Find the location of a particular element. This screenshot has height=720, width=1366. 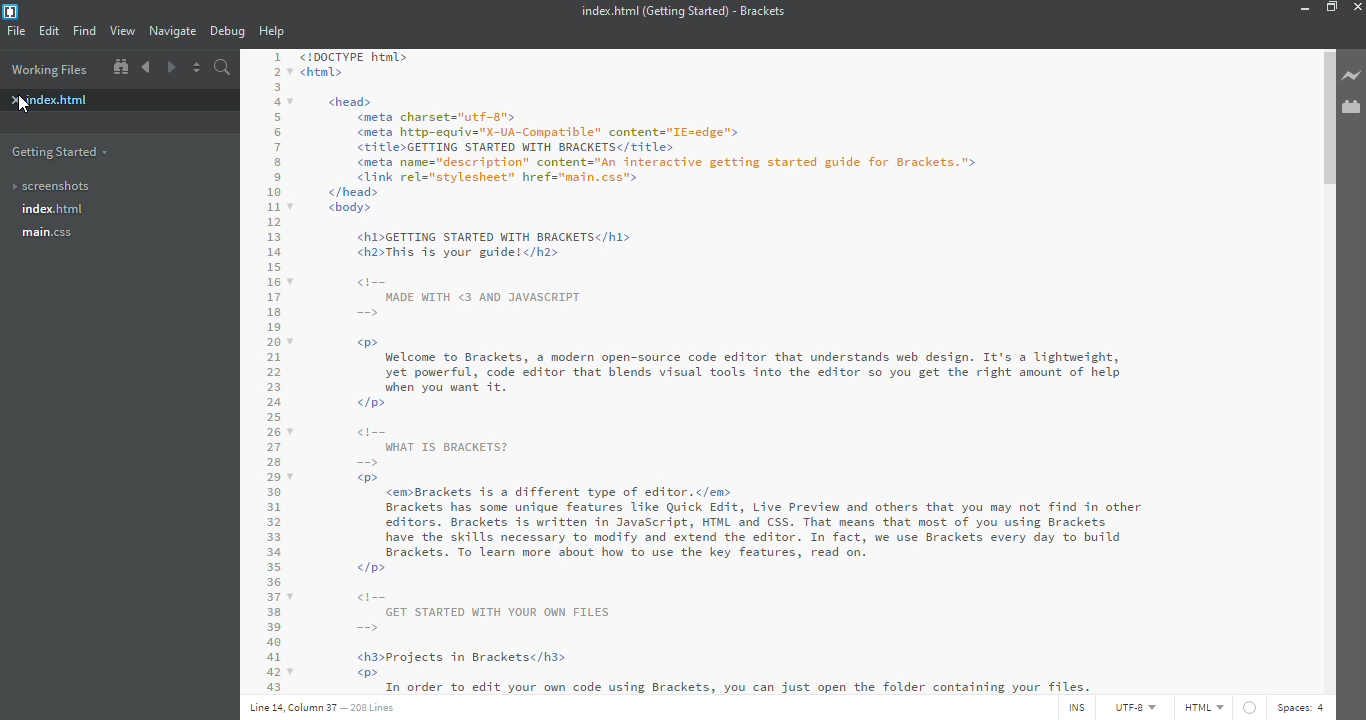

screenshots is located at coordinates (56, 187).